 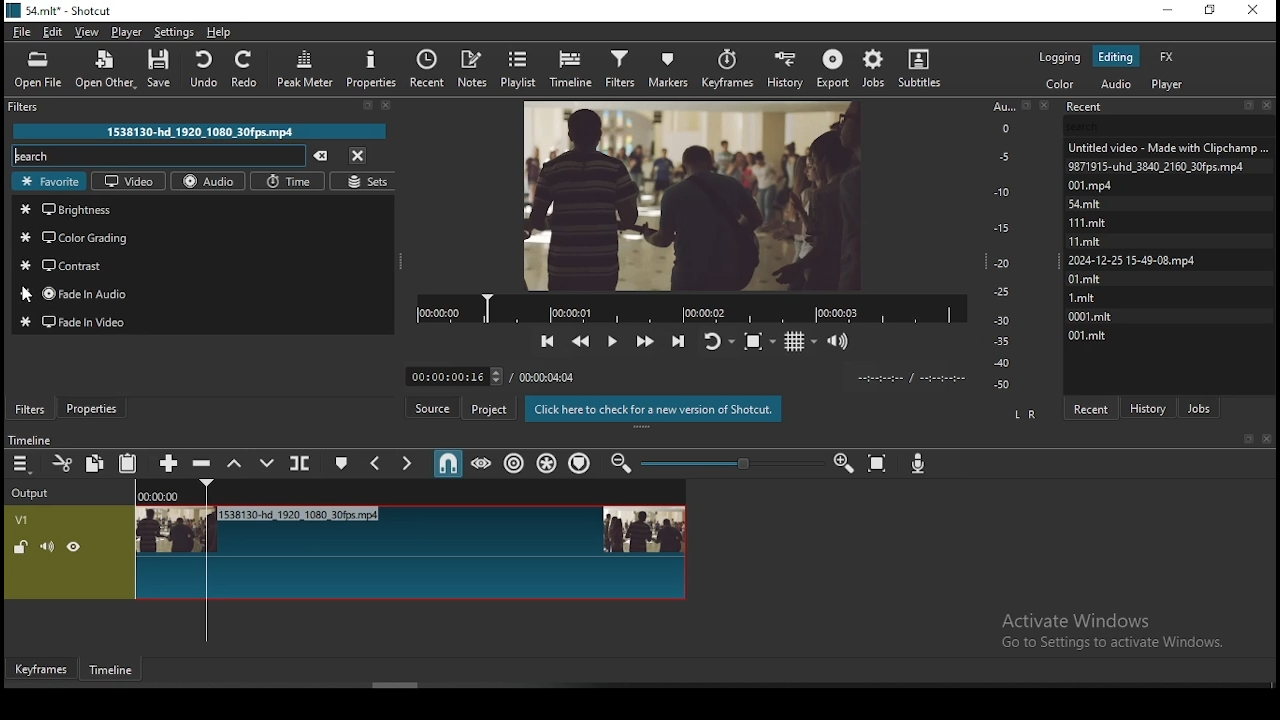 I want to click on lift, so click(x=237, y=464).